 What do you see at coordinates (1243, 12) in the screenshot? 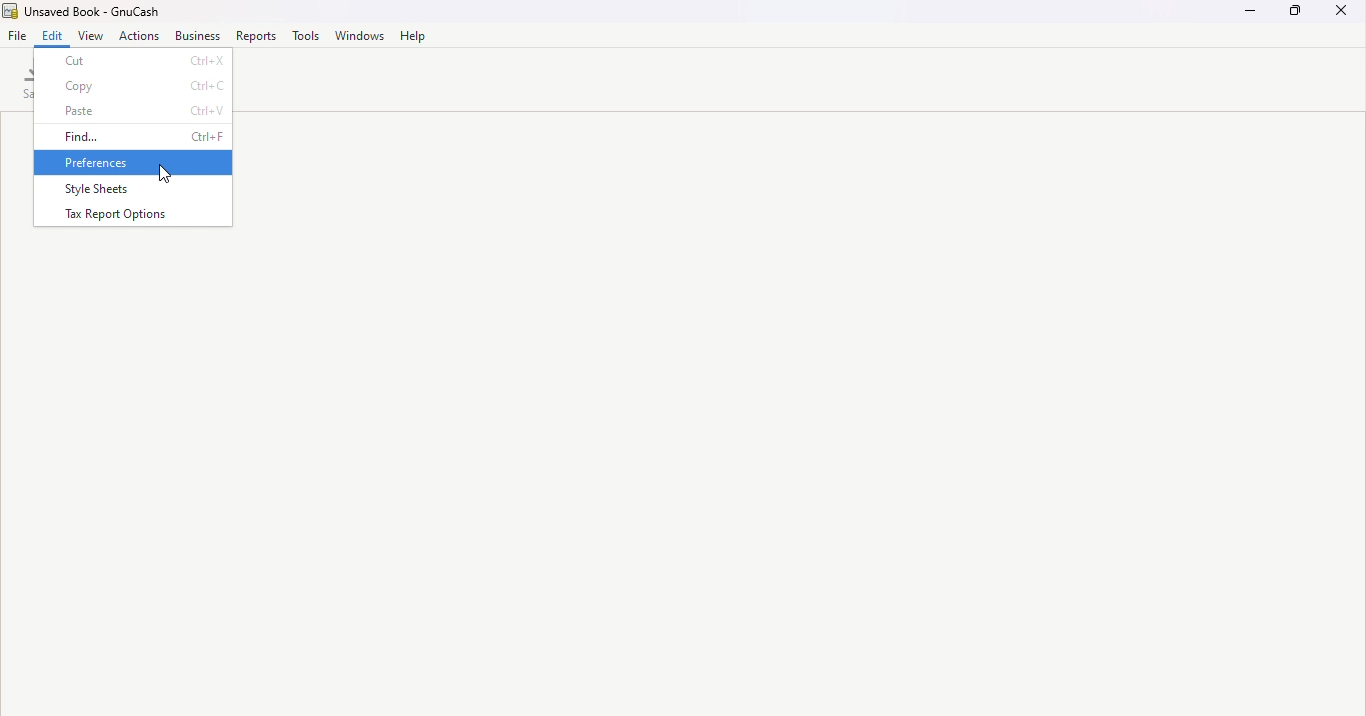
I see `Minimize` at bounding box center [1243, 12].